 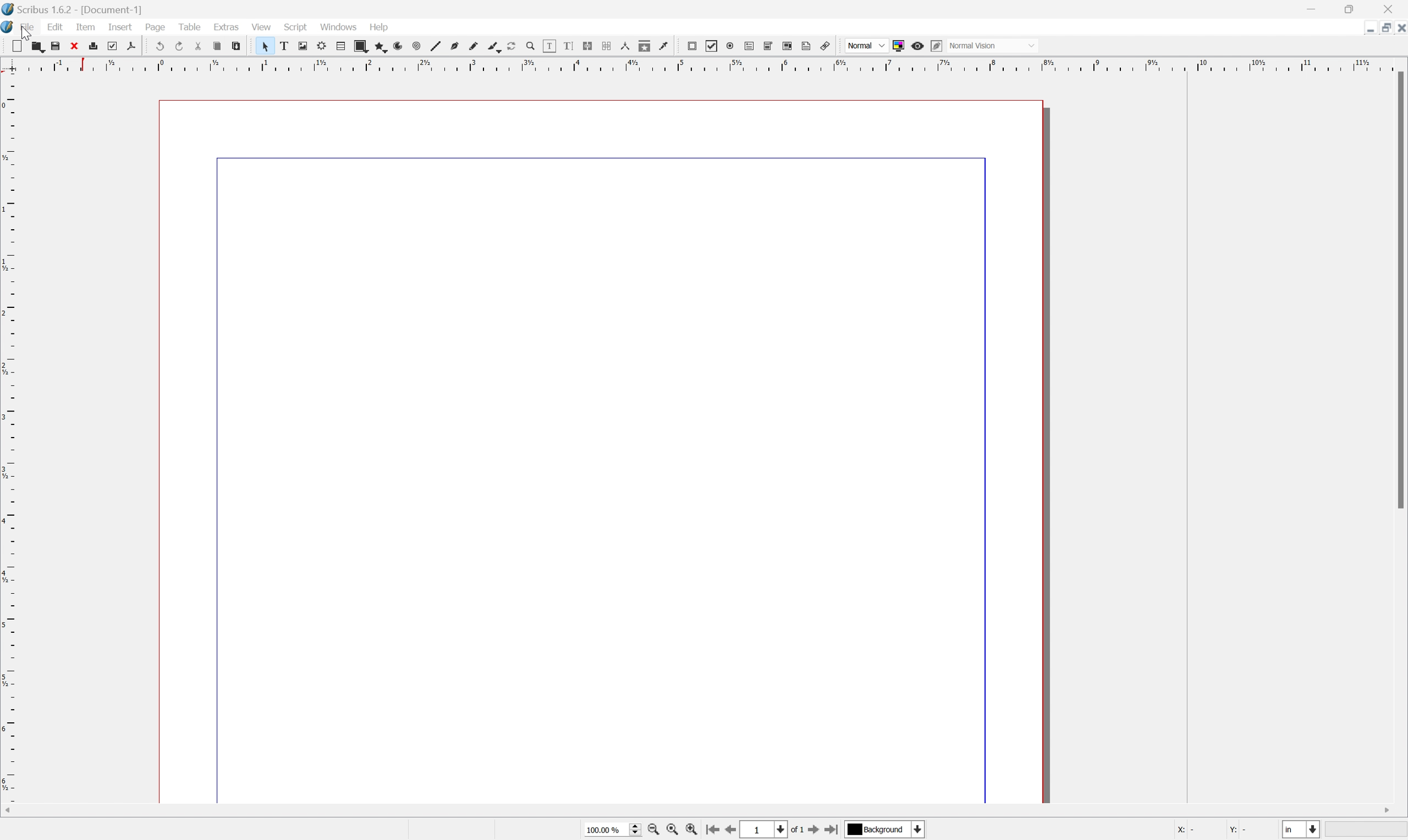 What do you see at coordinates (136, 46) in the screenshot?
I see `Save as PDF` at bounding box center [136, 46].